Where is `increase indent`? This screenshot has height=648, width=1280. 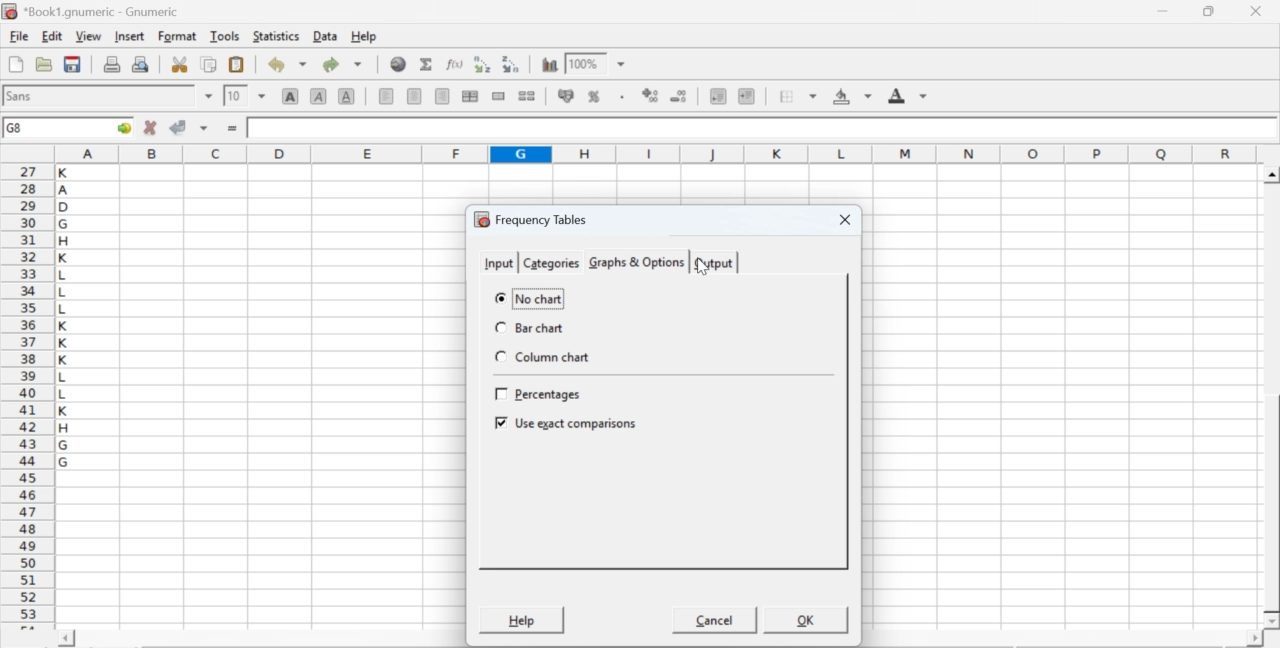
increase indent is located at coordinates (746, 97).